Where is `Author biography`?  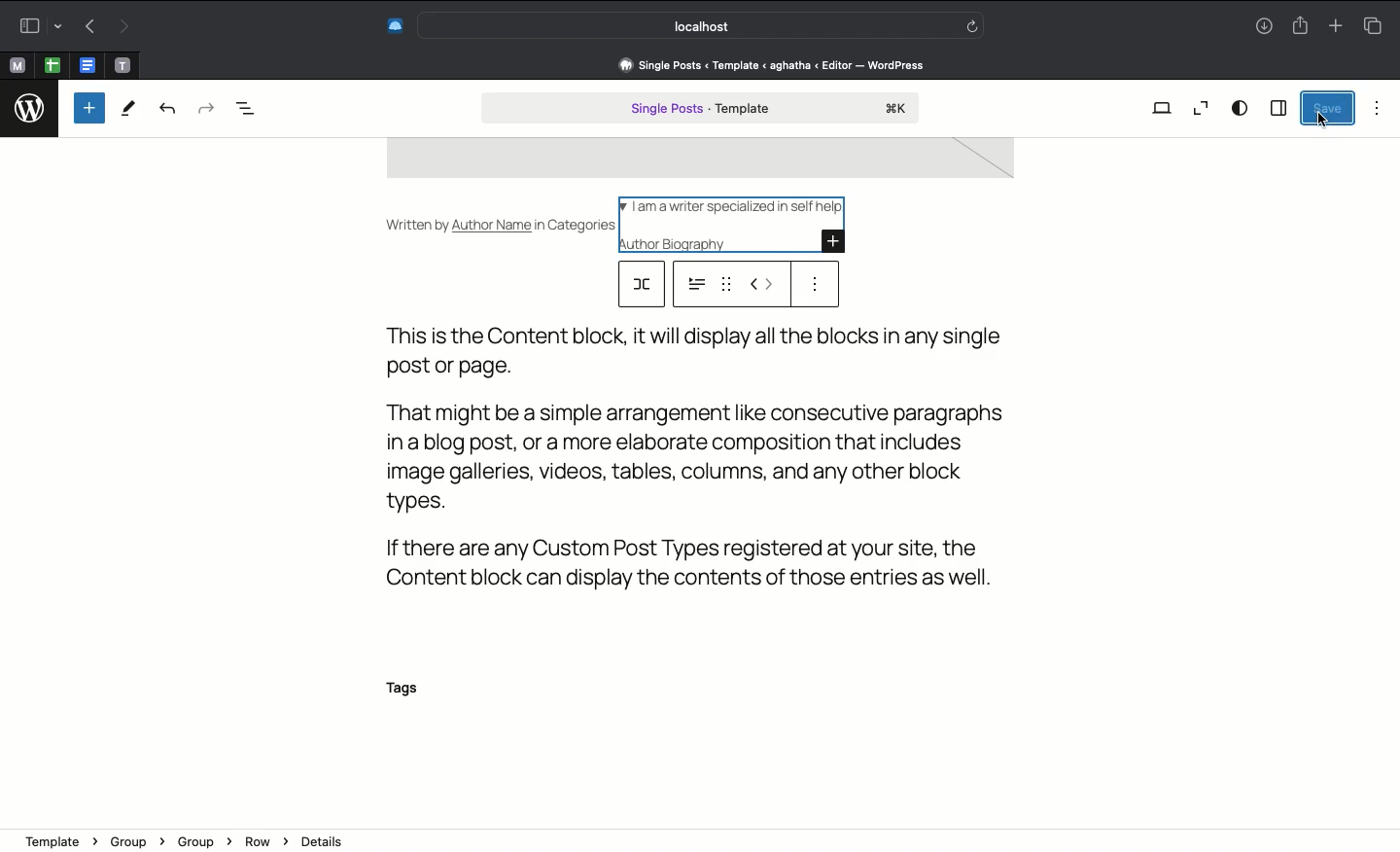
Author biography is located at coordinates (735, 240).